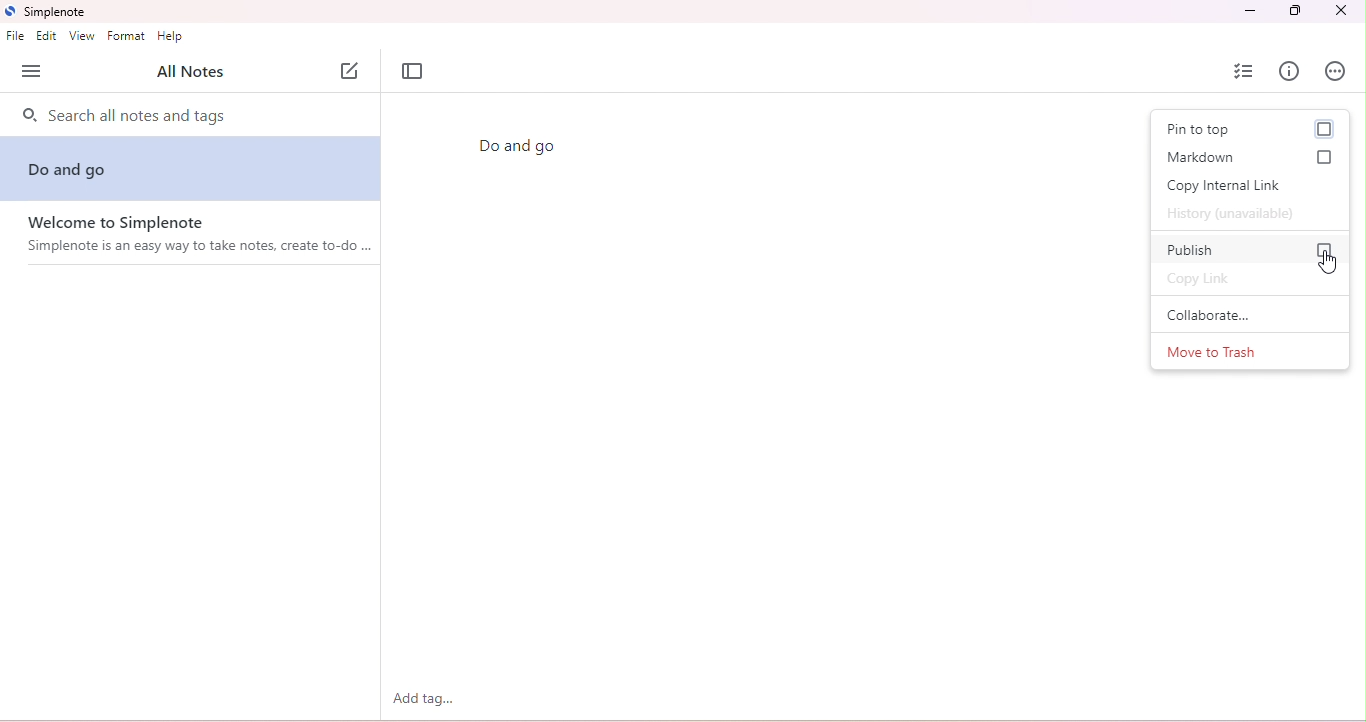 This screenshot has height=722, width=1366. Describe the element at coordinates (82, 36) in the screenshot. I see `view` at that location.